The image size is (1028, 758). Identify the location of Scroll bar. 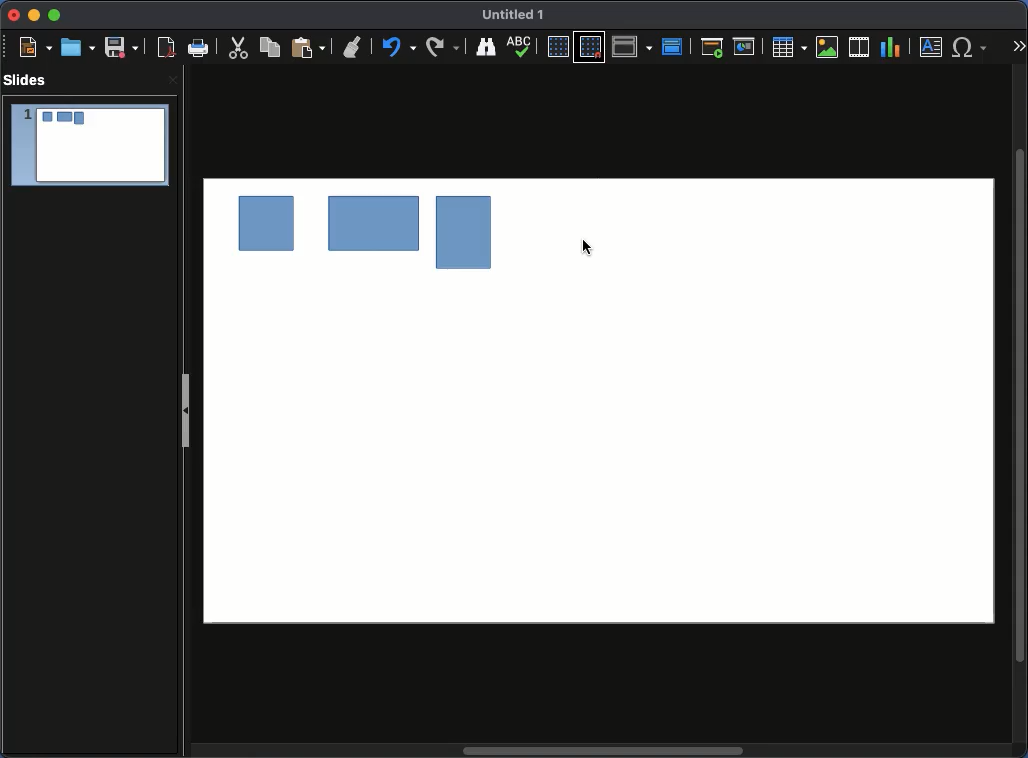
(607, 750).